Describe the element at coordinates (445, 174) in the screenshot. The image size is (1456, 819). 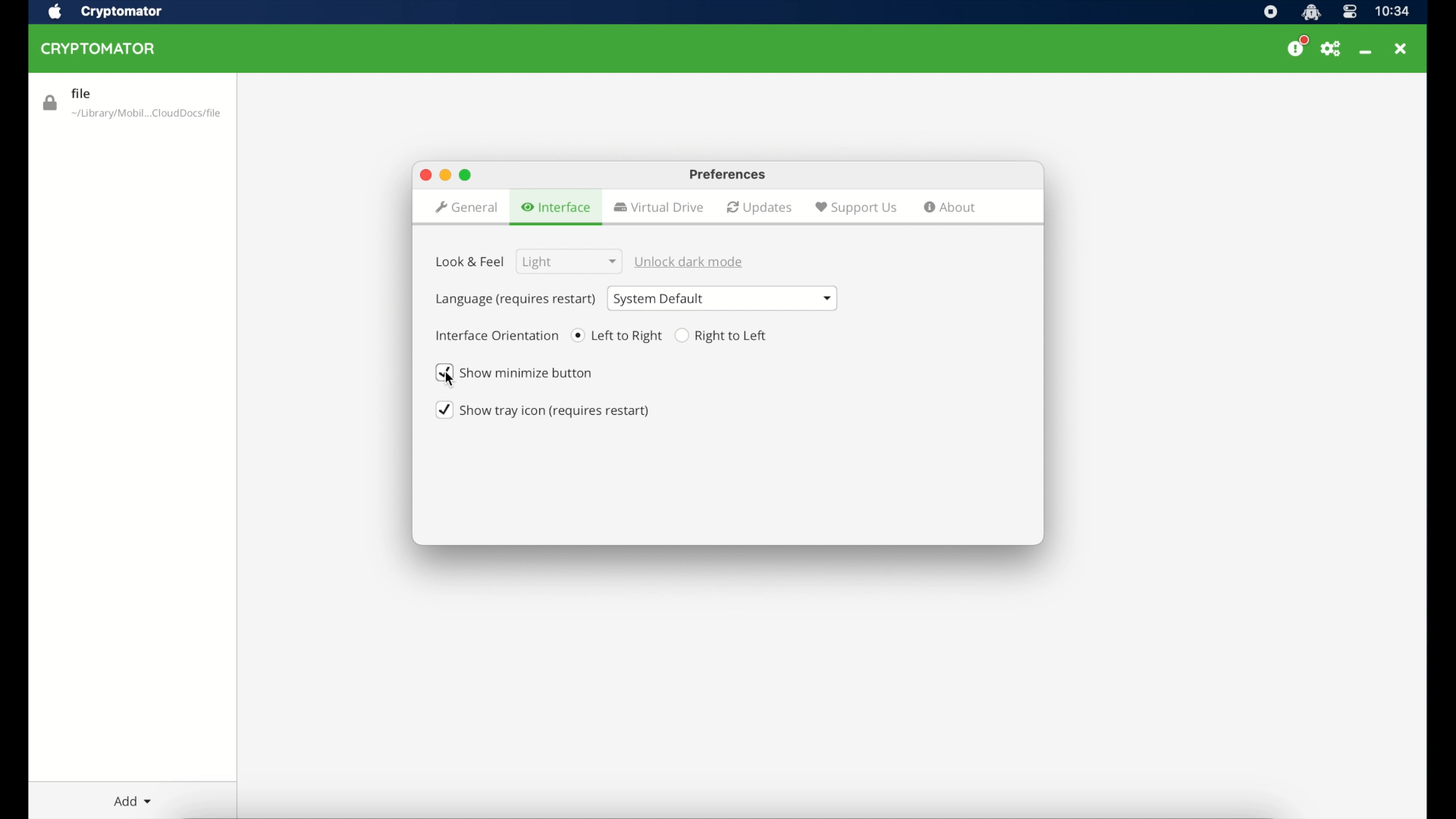
I see `minimize` at that location.